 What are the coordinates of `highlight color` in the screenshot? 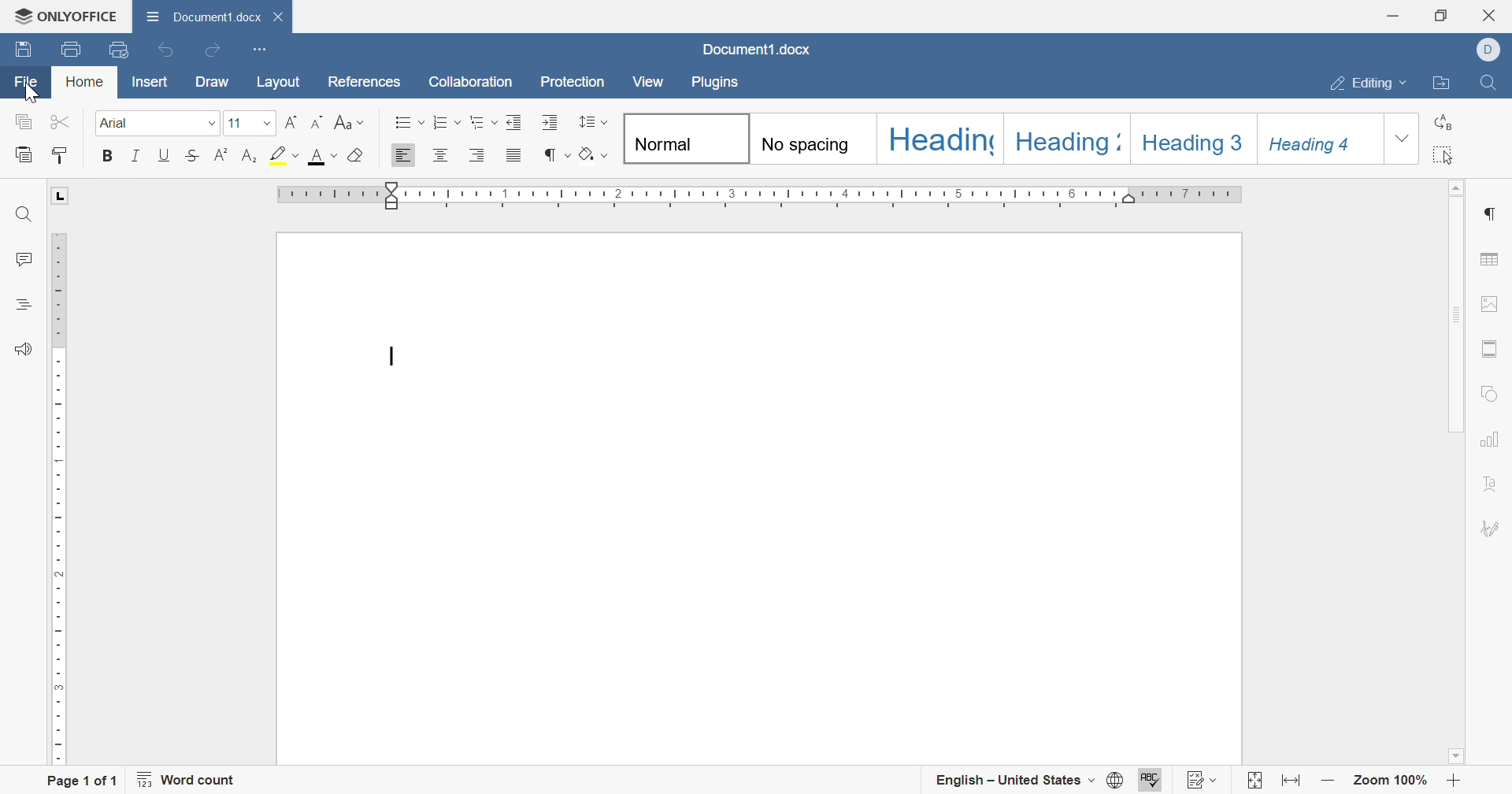 It's located at (285, 155).